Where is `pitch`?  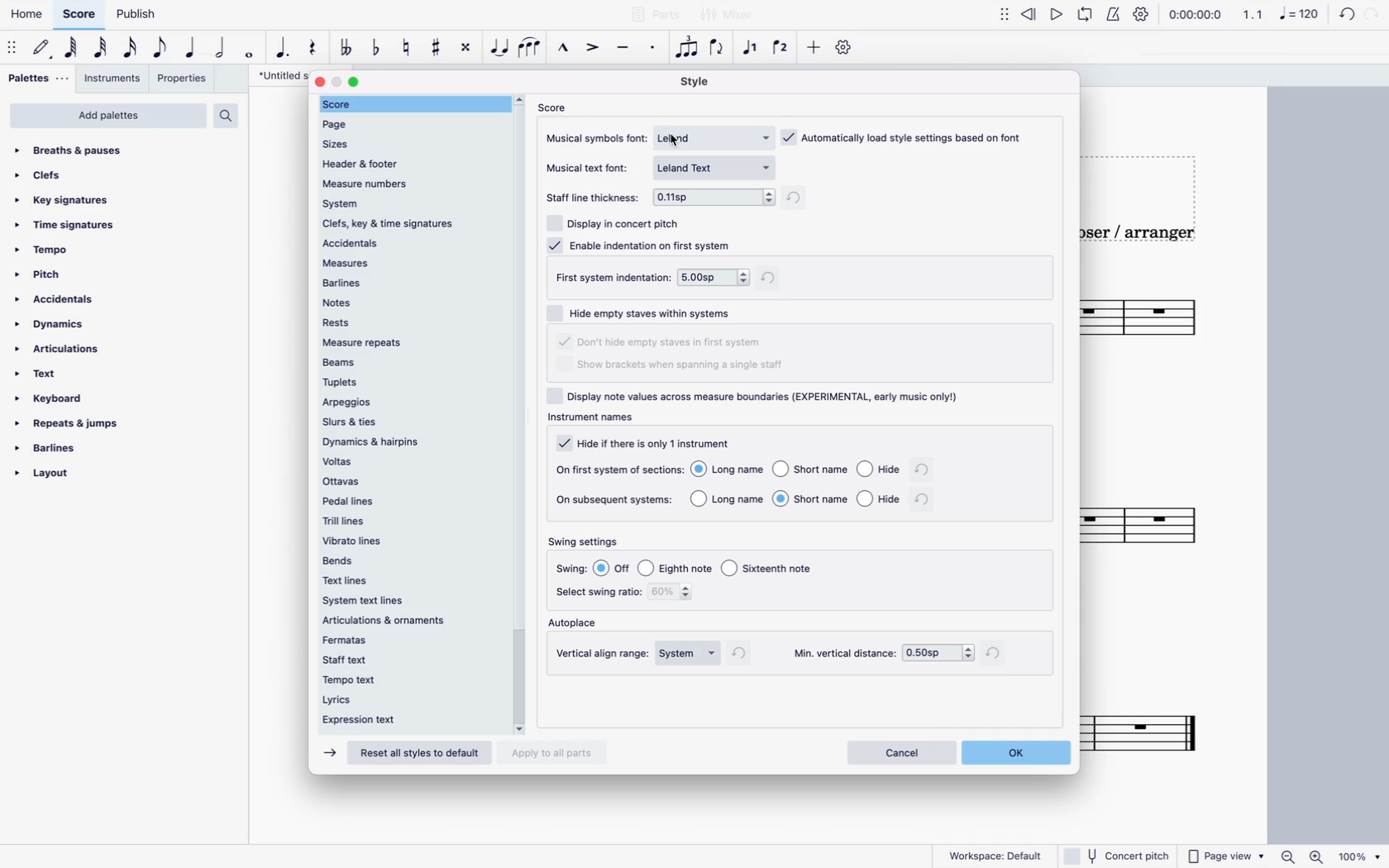 pitch is located at coordinates (59, 276).